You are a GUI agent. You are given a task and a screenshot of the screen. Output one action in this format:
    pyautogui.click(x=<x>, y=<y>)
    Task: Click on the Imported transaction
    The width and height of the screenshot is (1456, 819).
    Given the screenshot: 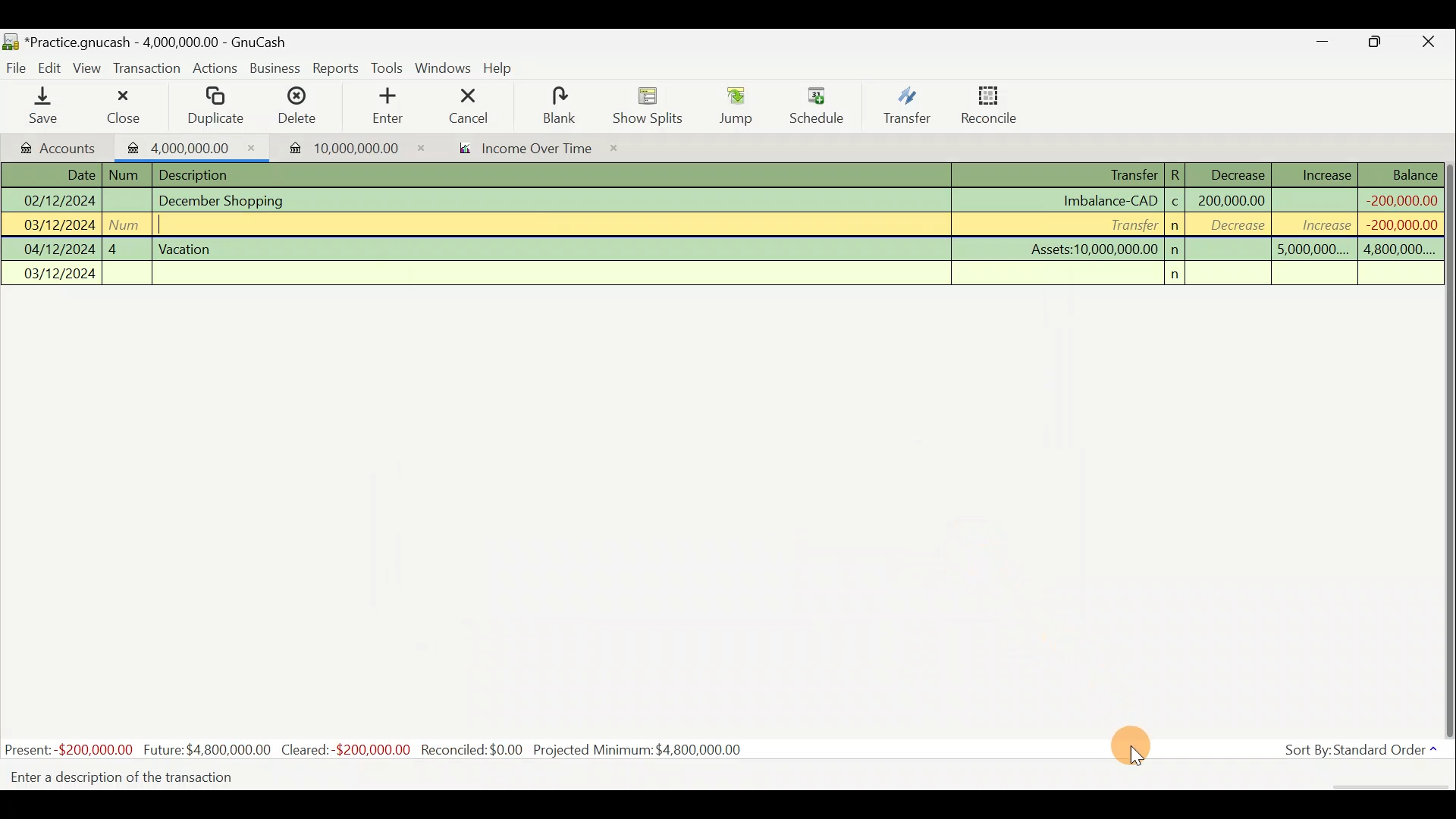 What is the action you would take?
    pyautogui.click(x=352, y=144)
    